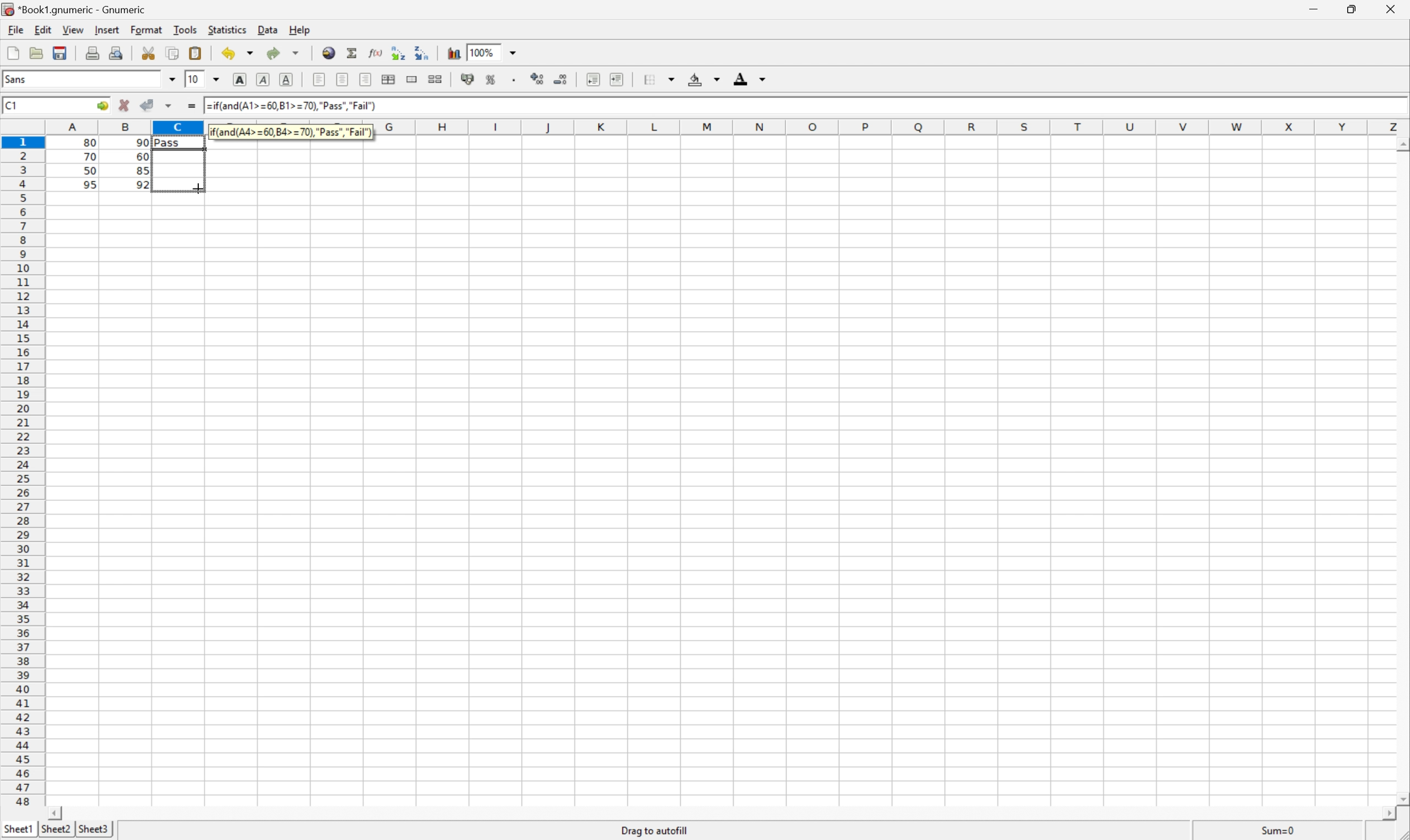 The height and width of the screenshot is (840, 1410). What do you see at coordinates (170, 106) in the screenshot?
I see `Accept changes in multiple changes` at bounding box center [170, 106].